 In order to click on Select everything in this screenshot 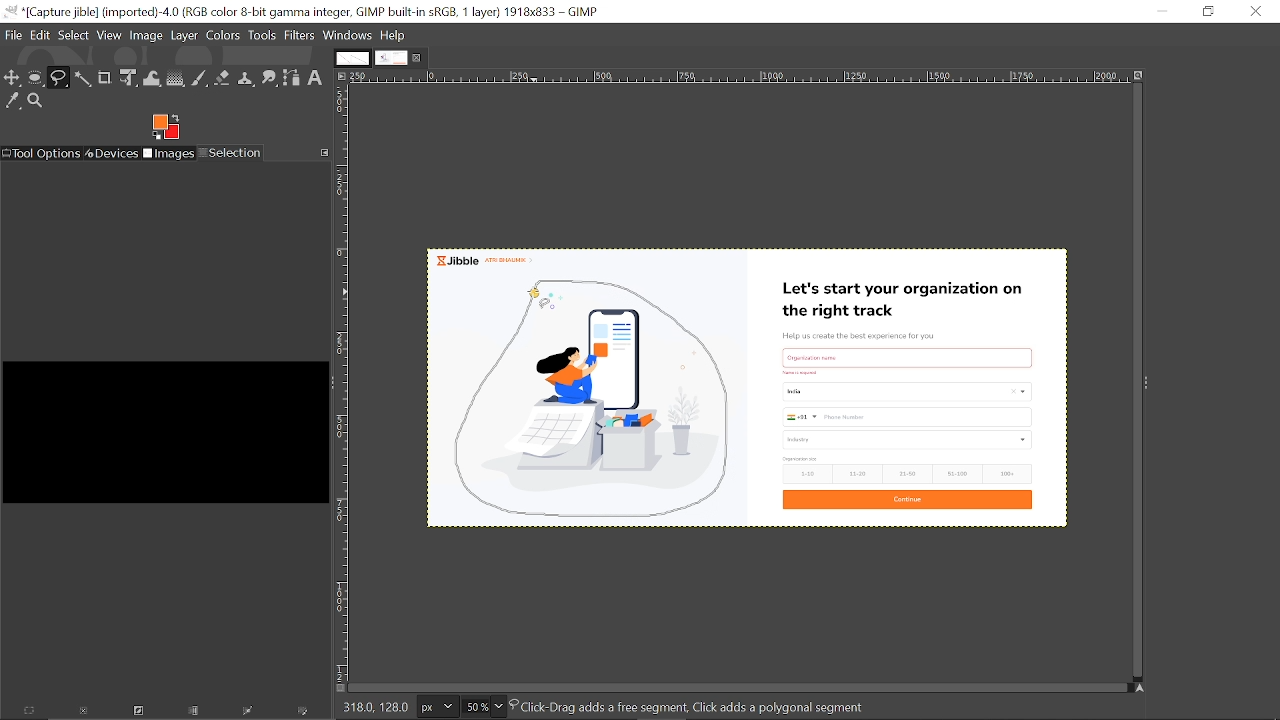, I will do `click(30, 712)`.